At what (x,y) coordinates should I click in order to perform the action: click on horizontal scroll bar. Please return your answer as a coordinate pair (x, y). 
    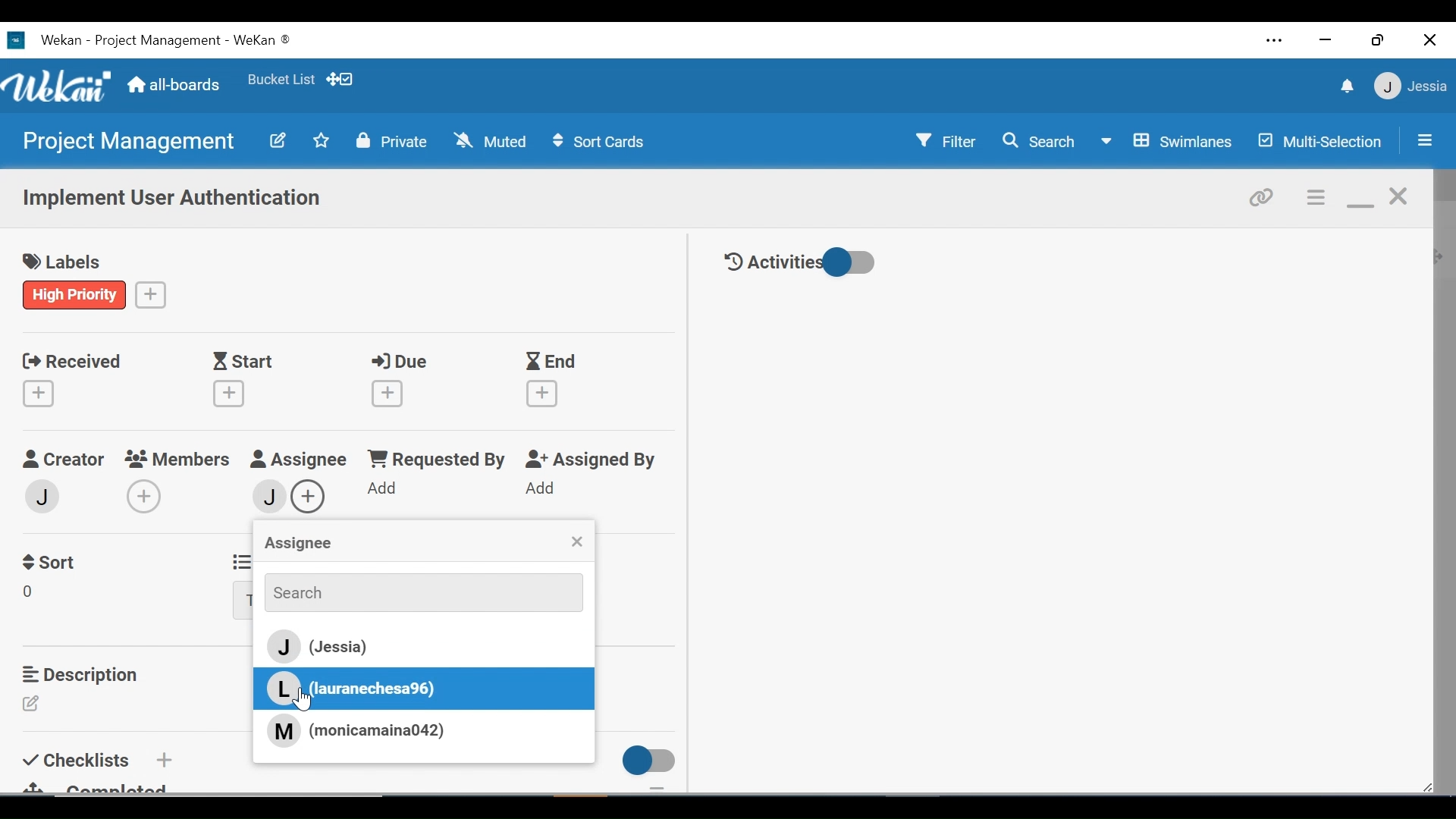
    Looking at the image, I should click on (264, 804).